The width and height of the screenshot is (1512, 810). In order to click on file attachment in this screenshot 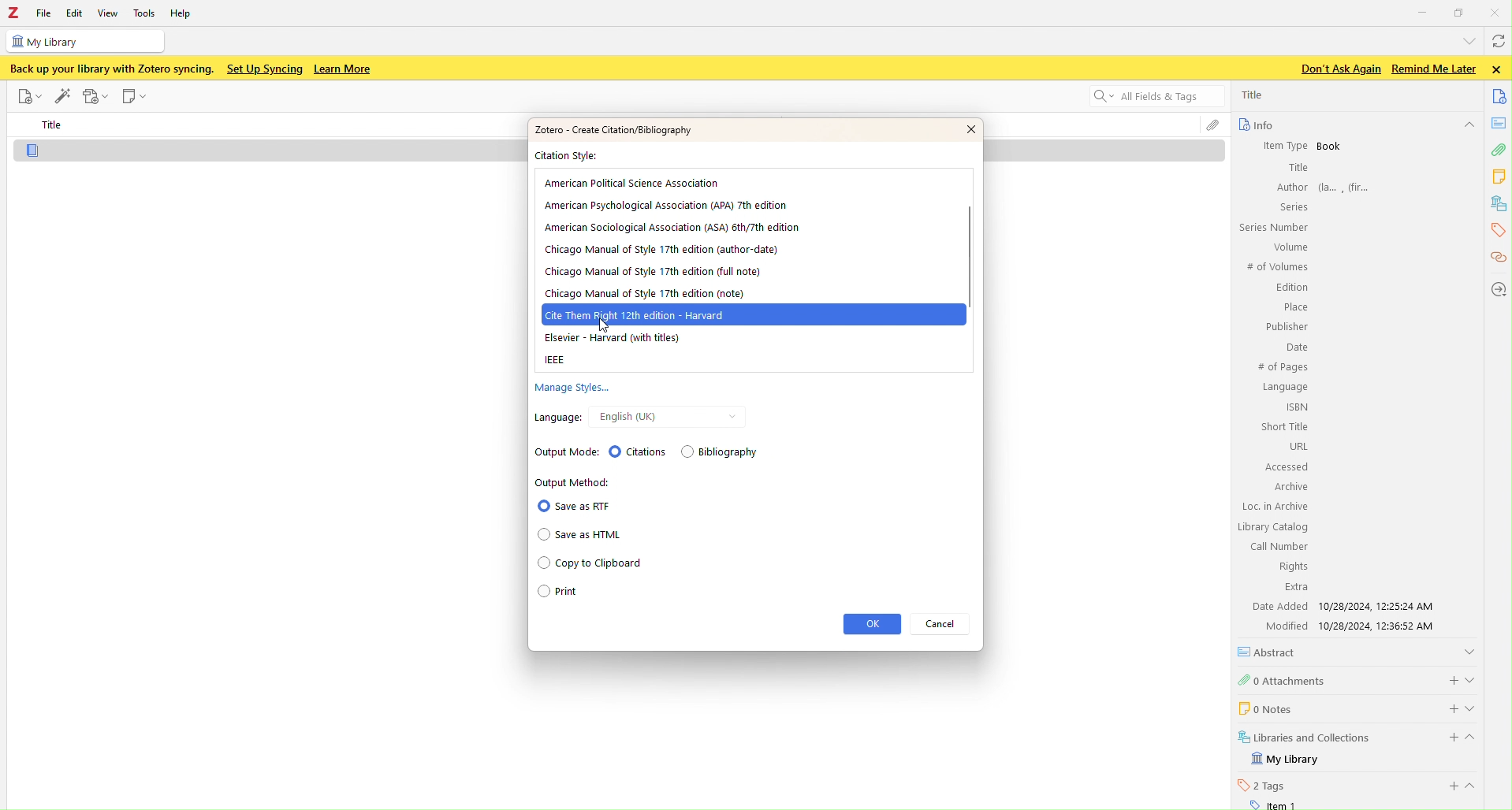, I will do `click(1212, 127)`.